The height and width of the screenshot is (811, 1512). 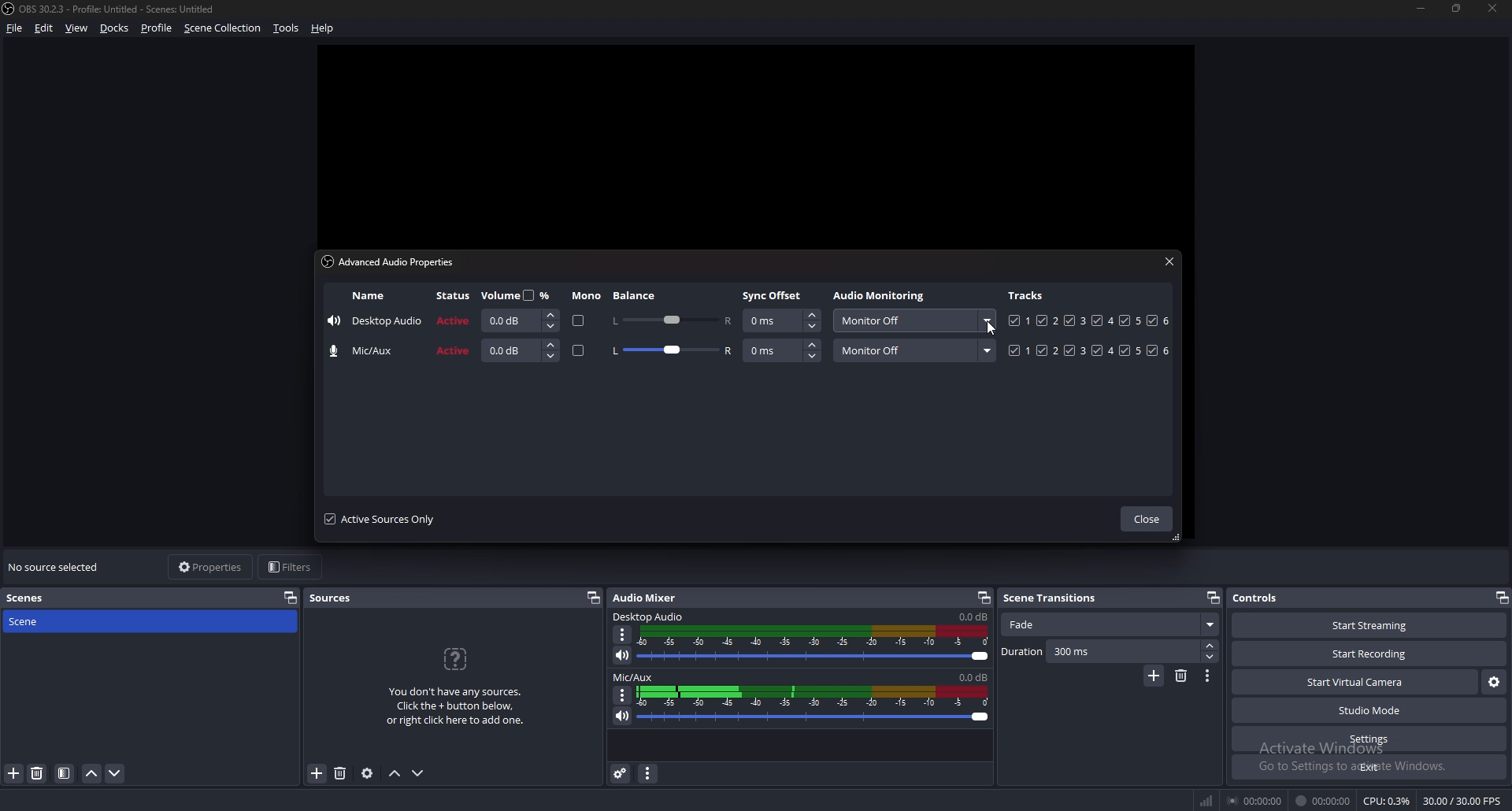 I want to click on close, so click(x=1494, y=9).